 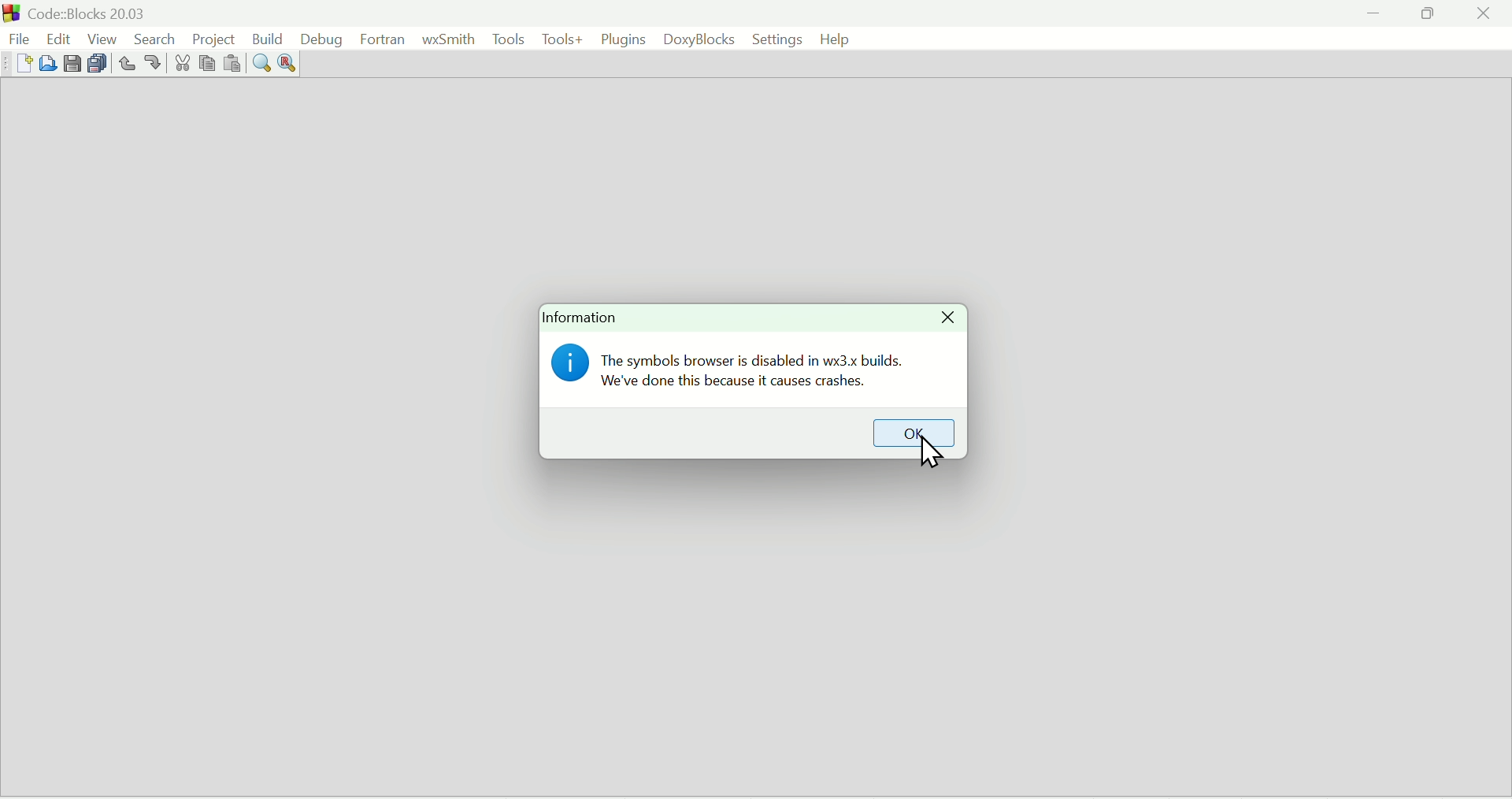 What do you see at coordinates (261, 64) in the screenshot?
I see `Find` at bounding box center [261, 64].